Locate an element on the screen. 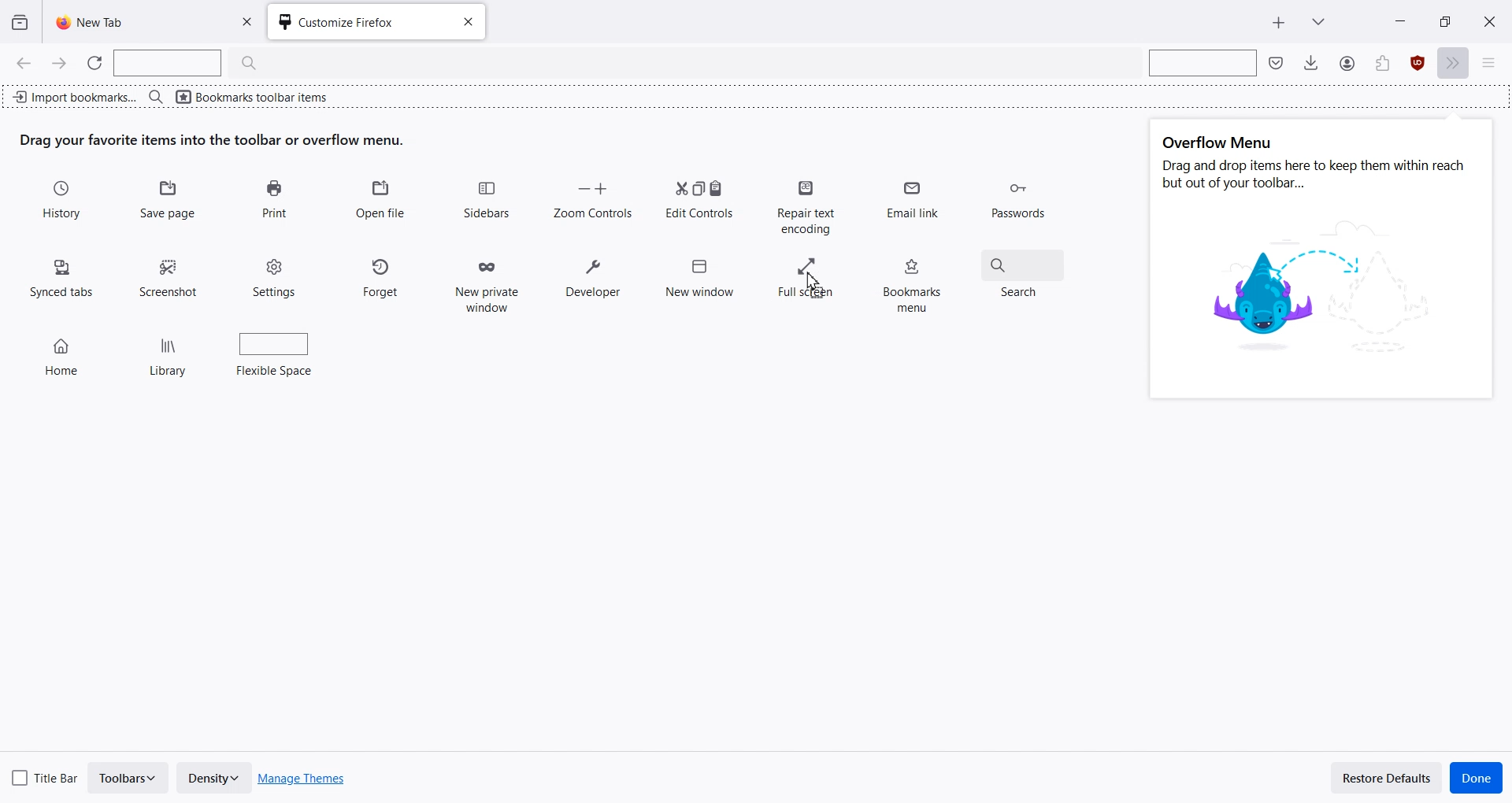 The image size is (1512, 803). Density is located at coordinates (213, 778).